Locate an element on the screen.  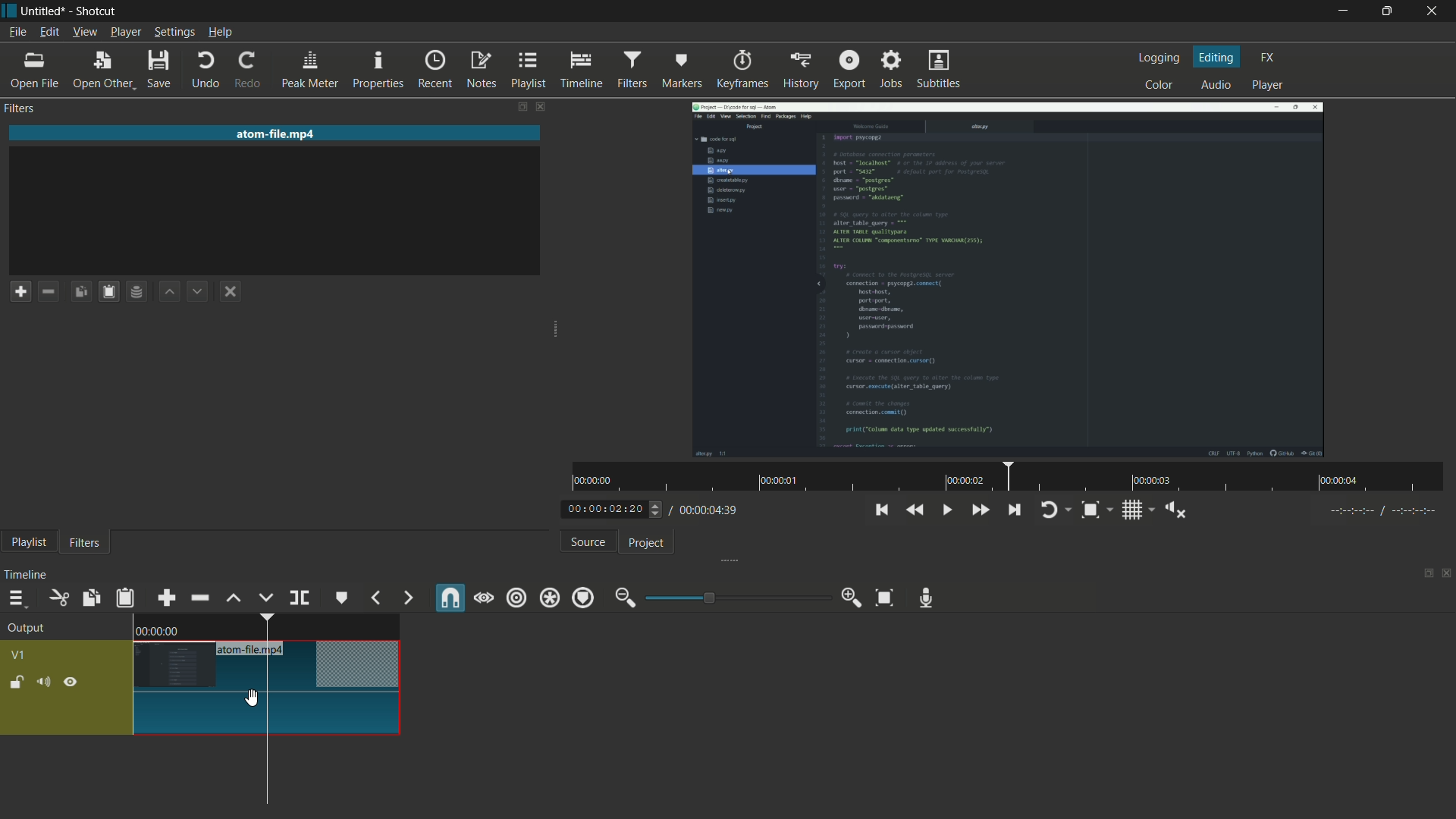
mute is located at coordinates (45, 682).